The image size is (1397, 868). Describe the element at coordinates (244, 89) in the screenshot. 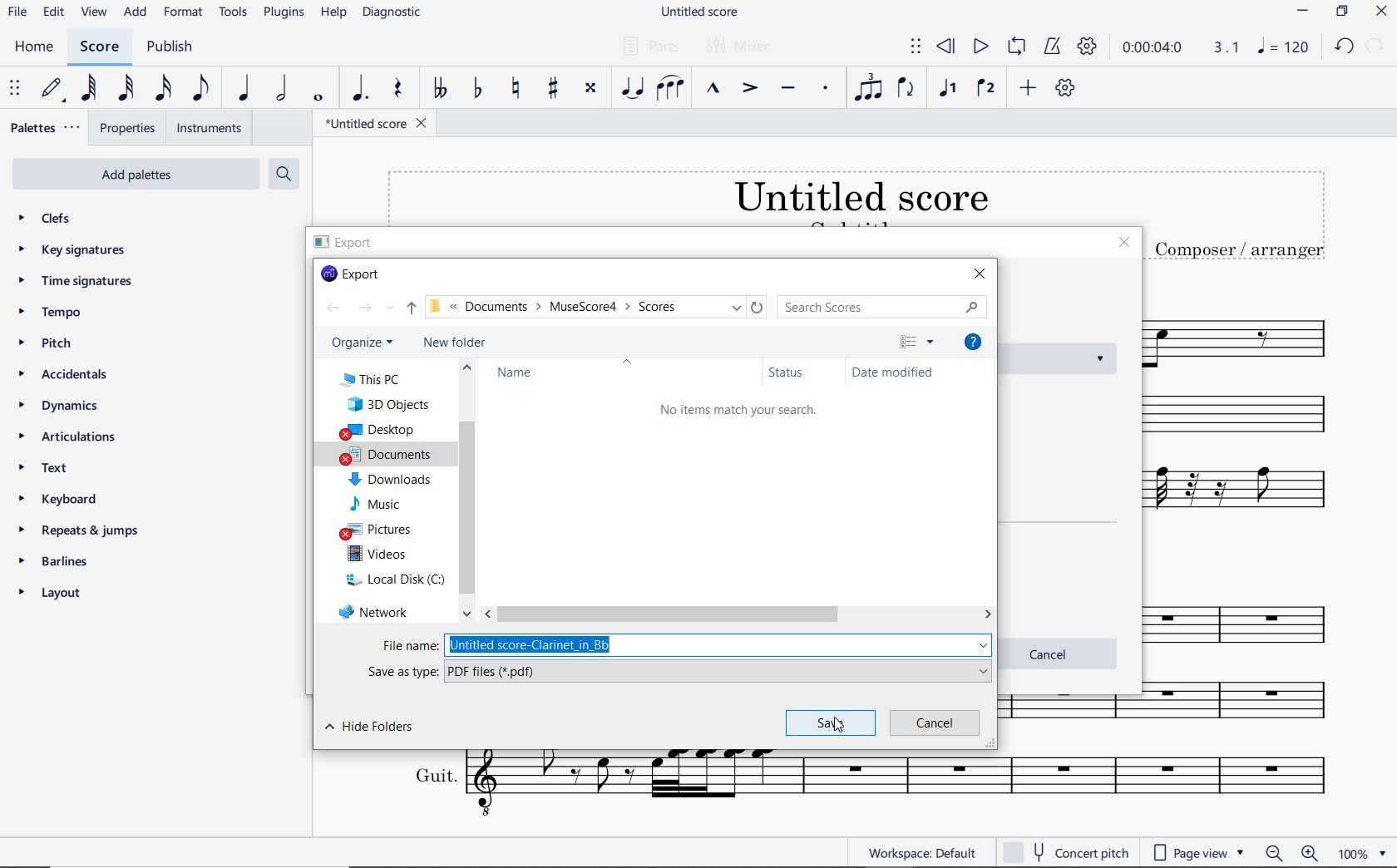

I see `QUARTER NOTE` at that location.